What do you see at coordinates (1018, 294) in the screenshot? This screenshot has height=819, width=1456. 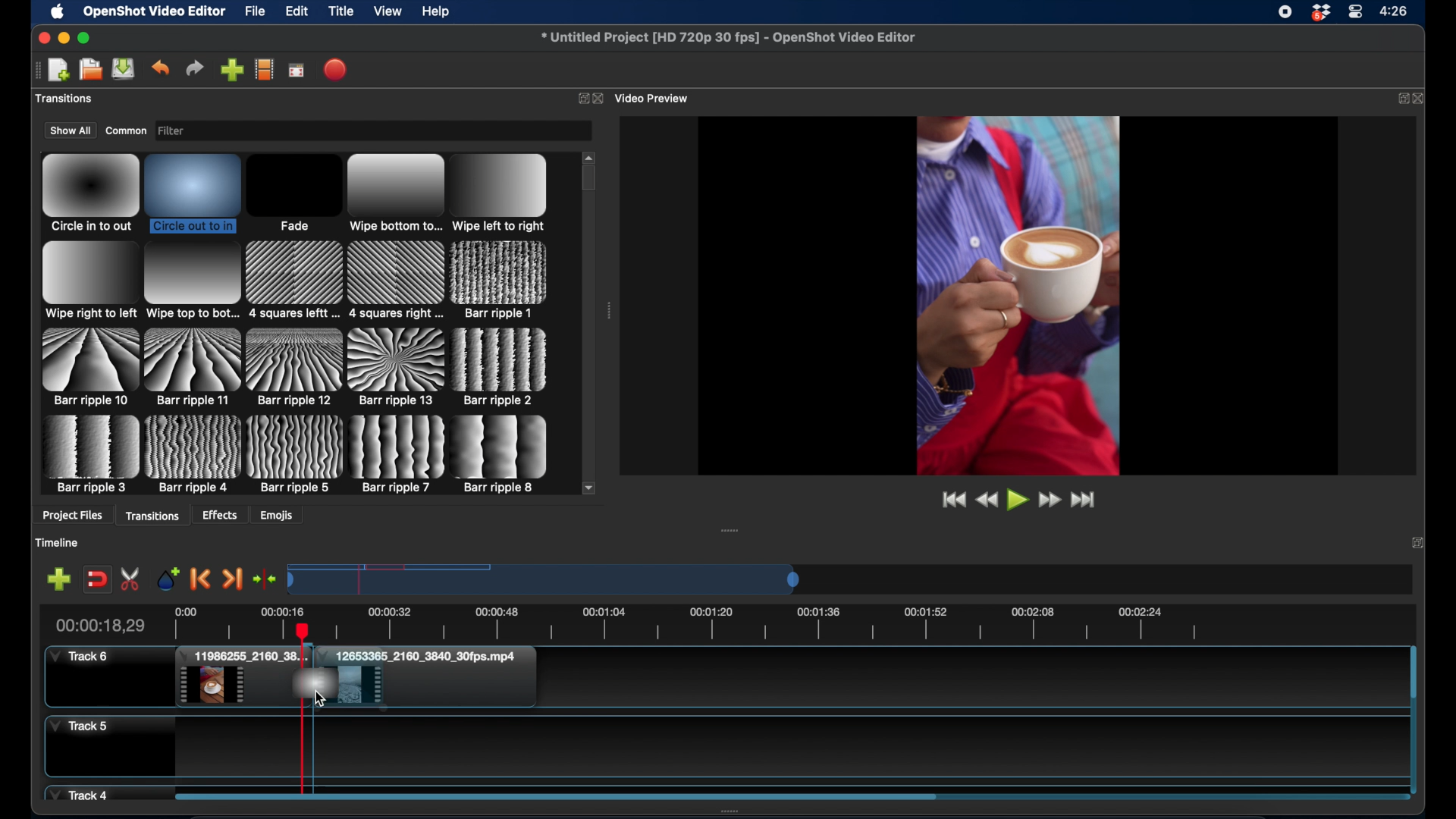 I see `video preview` at bounding box center [1018, 294].